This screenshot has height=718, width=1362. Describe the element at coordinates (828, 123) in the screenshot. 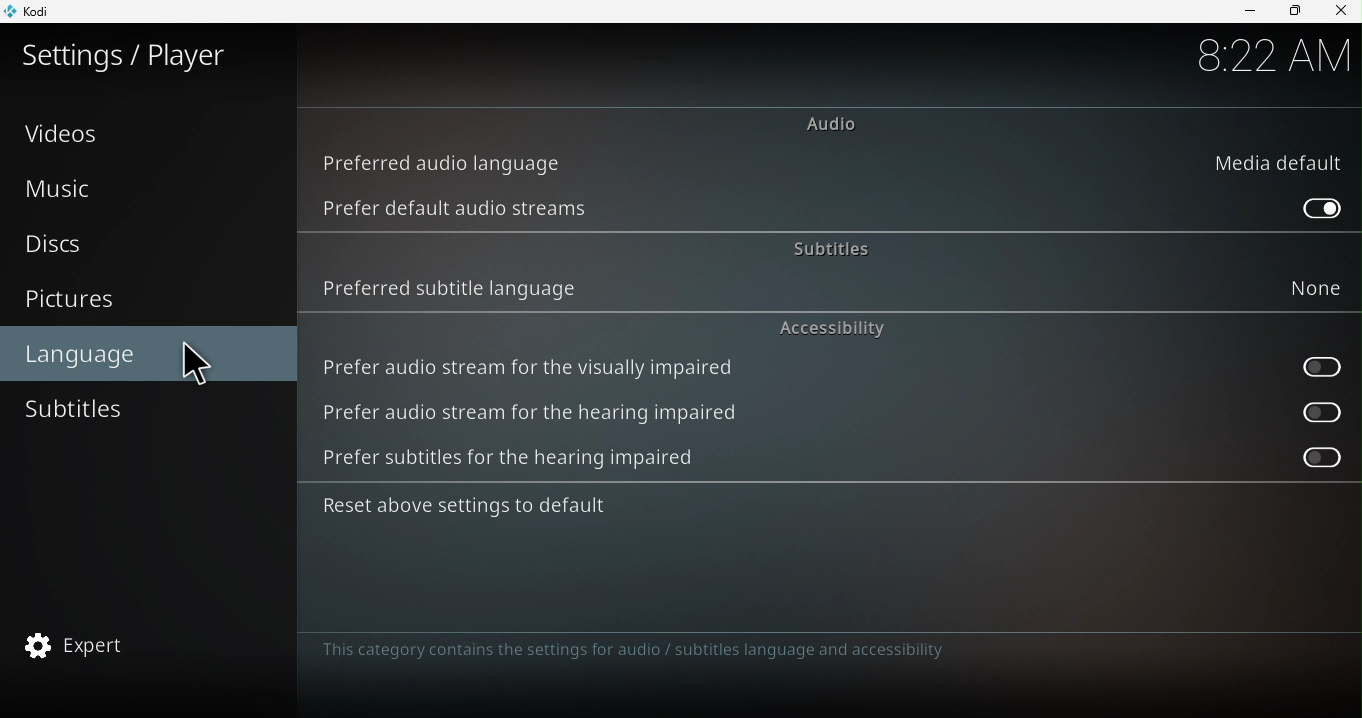

I see `Audio` at that location.